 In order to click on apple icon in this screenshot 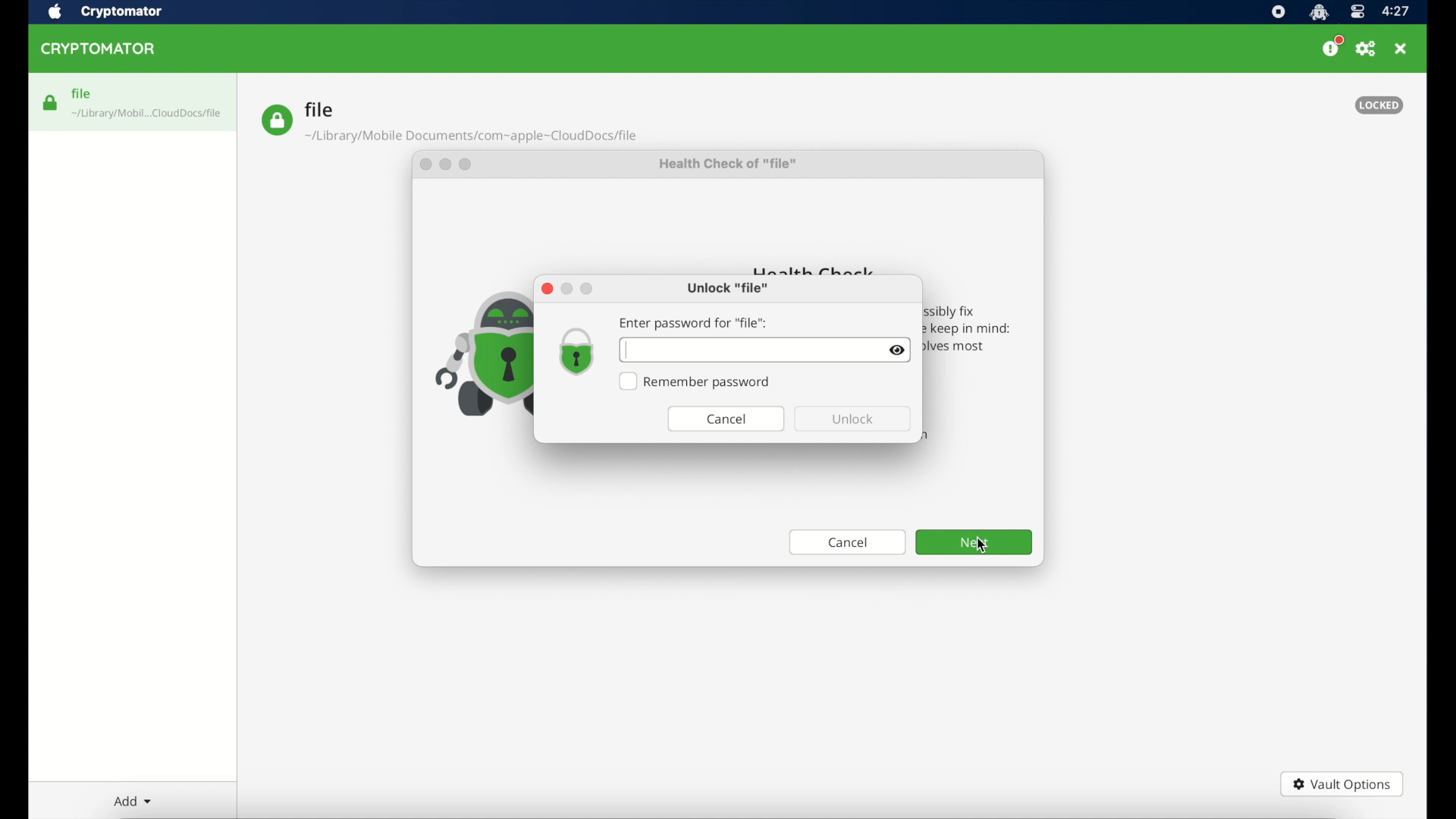, I will do `click(55, 12)`.